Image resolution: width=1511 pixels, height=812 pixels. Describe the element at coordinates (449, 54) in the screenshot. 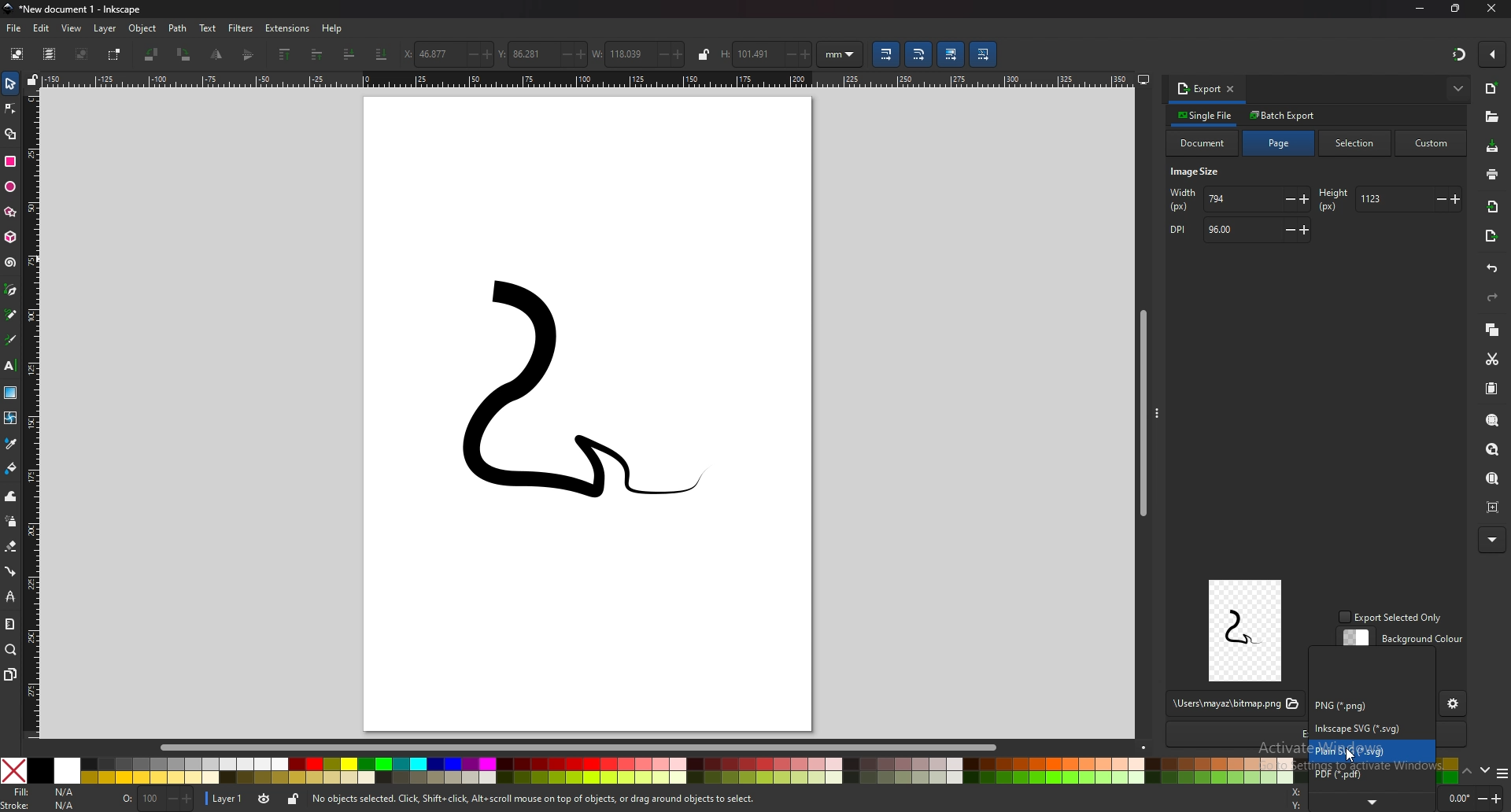

I see `x coordinates` at that location.